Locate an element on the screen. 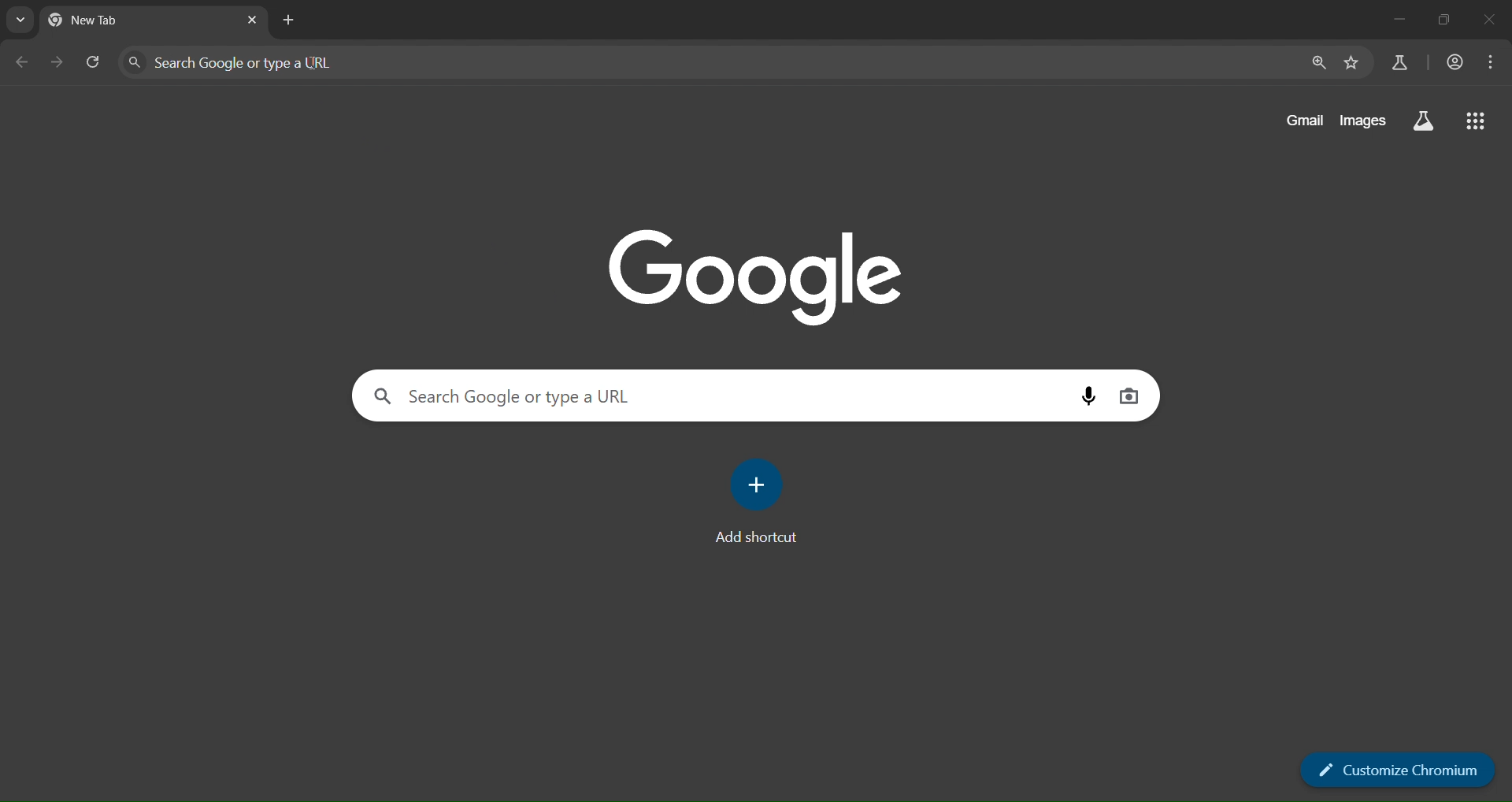 Image resolution: width=1512 pixels, height=802 pixels. google apps is located at coordinates (1476, 123).